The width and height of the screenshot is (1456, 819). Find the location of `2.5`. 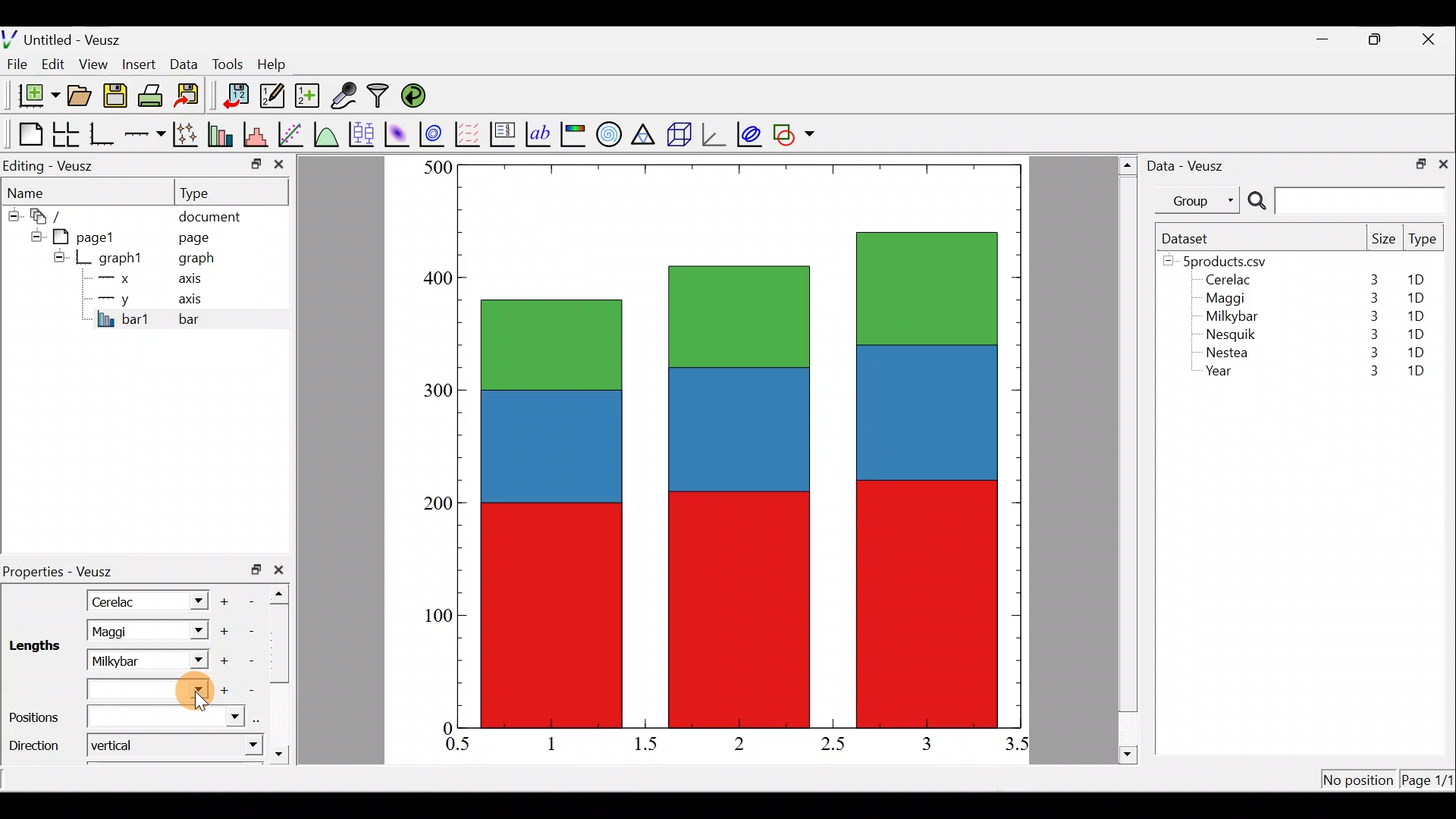

2.5 is located at coordinates (833, 744).